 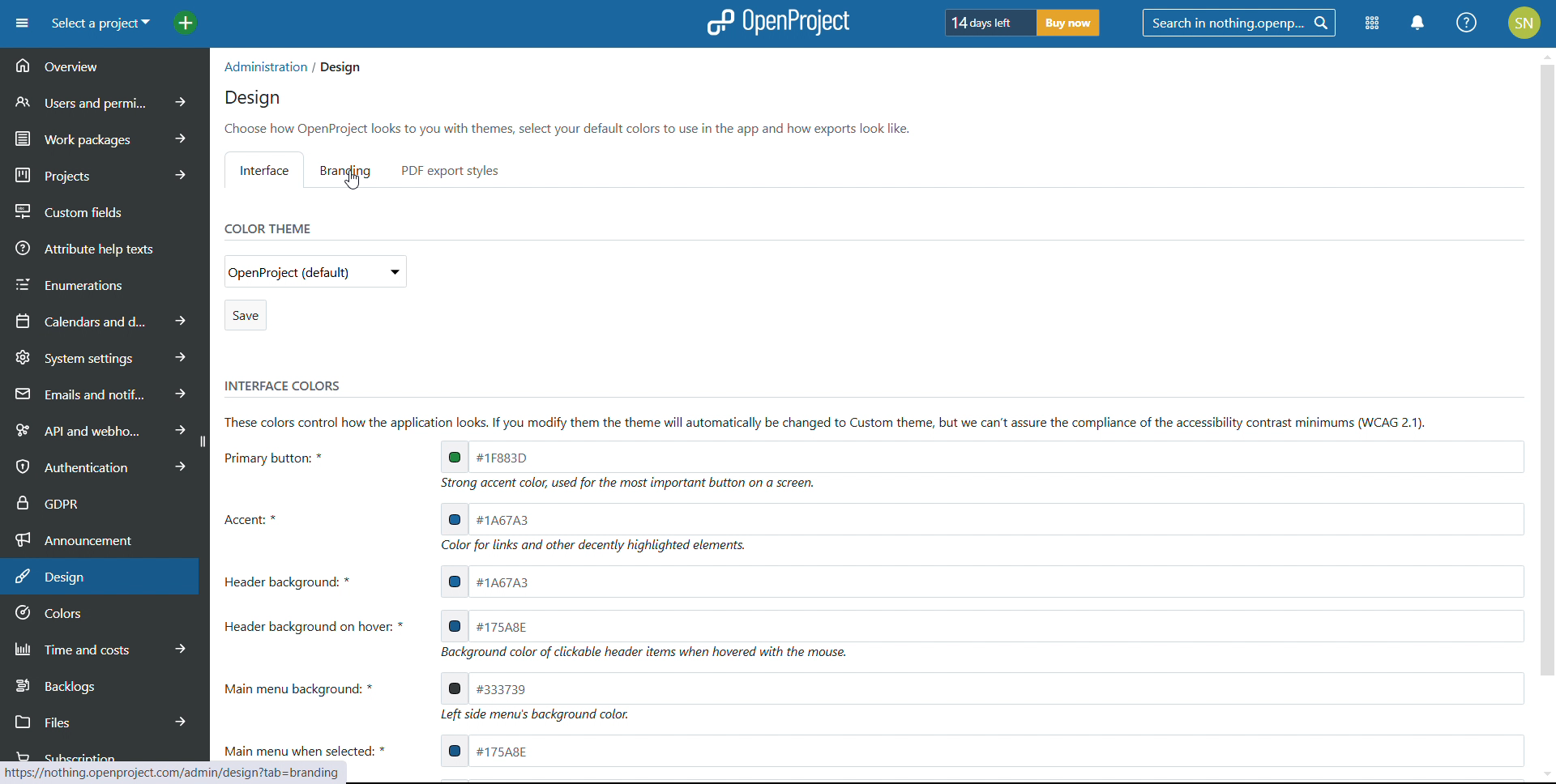 I want to click on scroll up, so click(x=1546, y=53).